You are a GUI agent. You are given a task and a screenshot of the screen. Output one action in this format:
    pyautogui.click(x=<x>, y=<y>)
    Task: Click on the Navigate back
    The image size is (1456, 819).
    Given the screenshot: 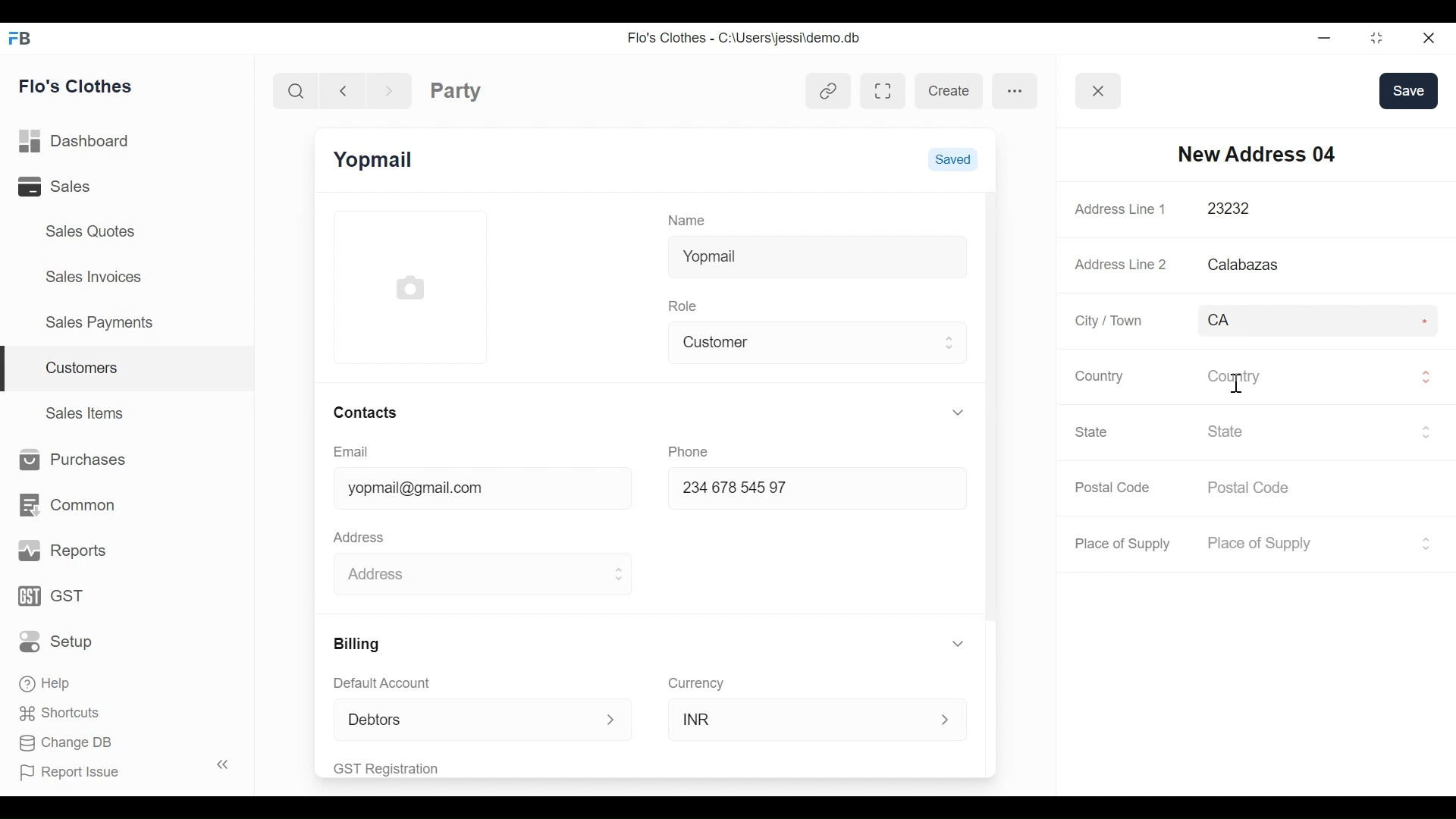 What is the action you would take?
    pyautogui.click(x=341, y=89)
    